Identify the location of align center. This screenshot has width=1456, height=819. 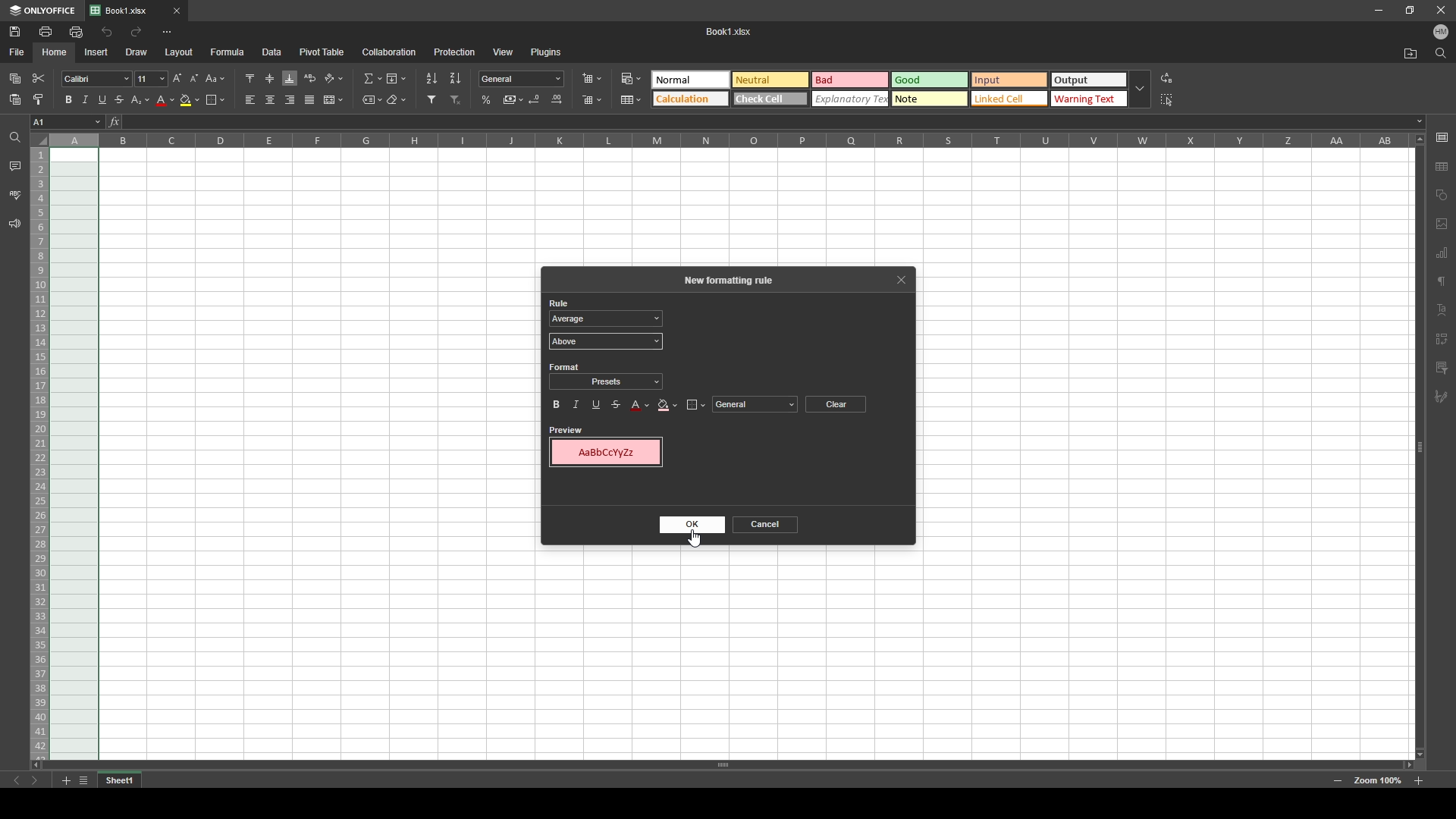
(271, 99).